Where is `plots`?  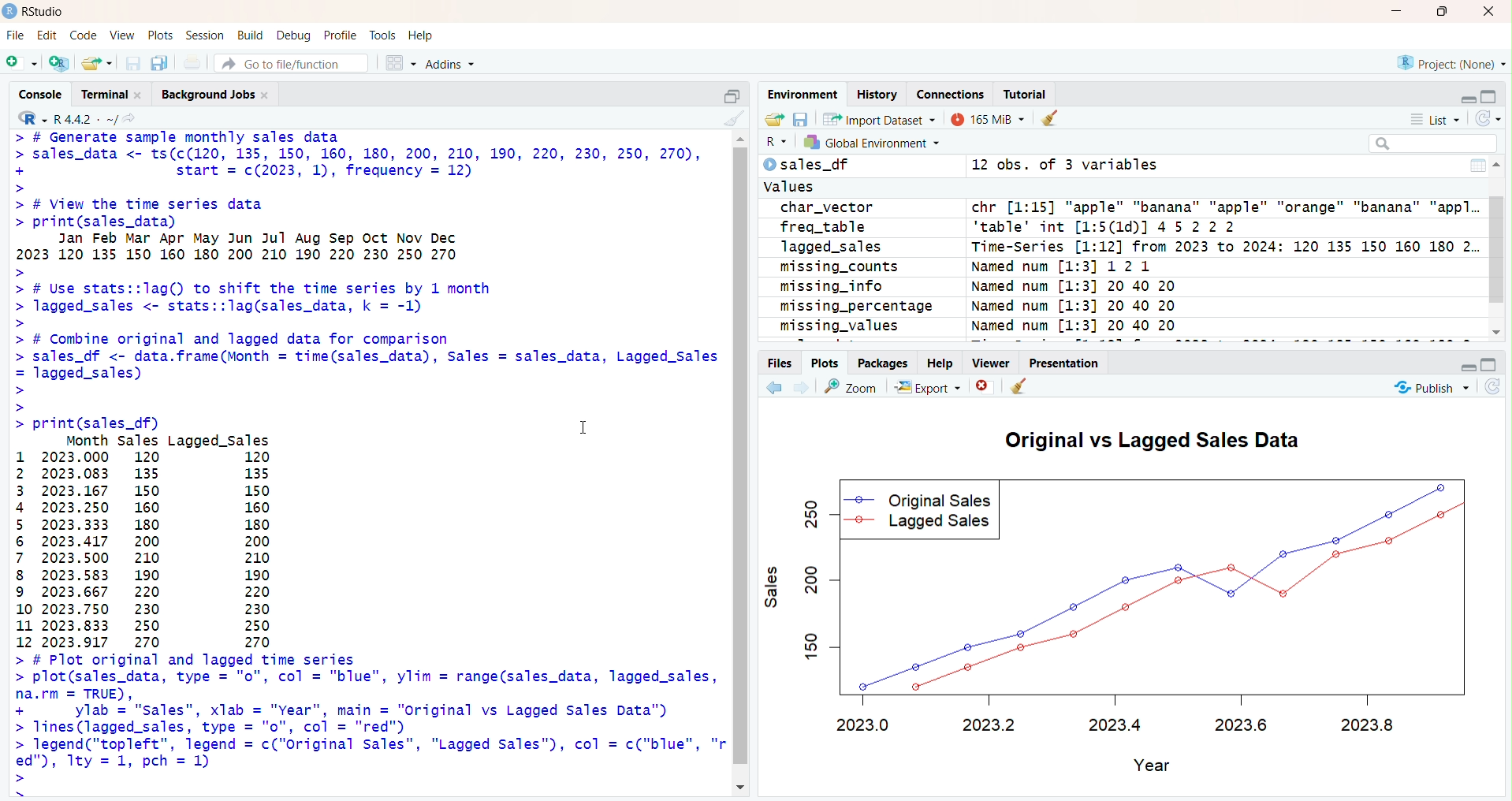
plots is located at coordinates (826, 363).